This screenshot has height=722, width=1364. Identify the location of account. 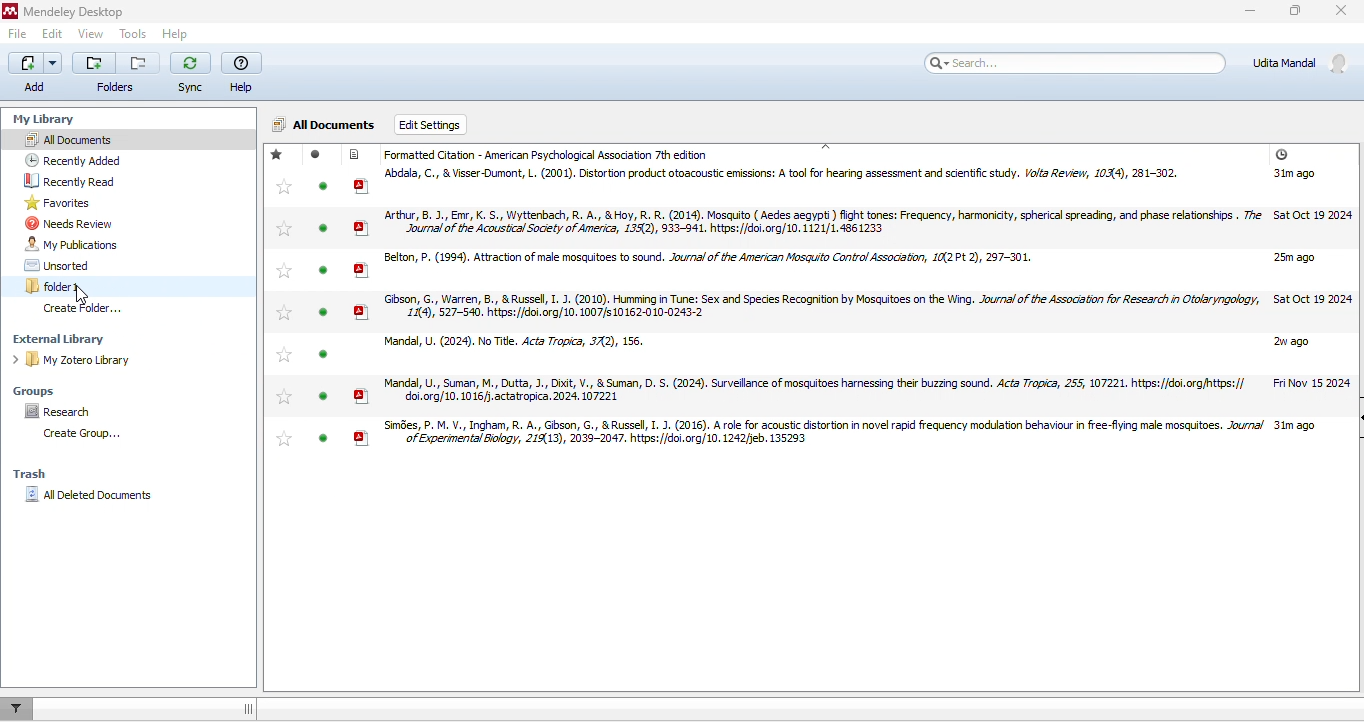
(1303, 63).